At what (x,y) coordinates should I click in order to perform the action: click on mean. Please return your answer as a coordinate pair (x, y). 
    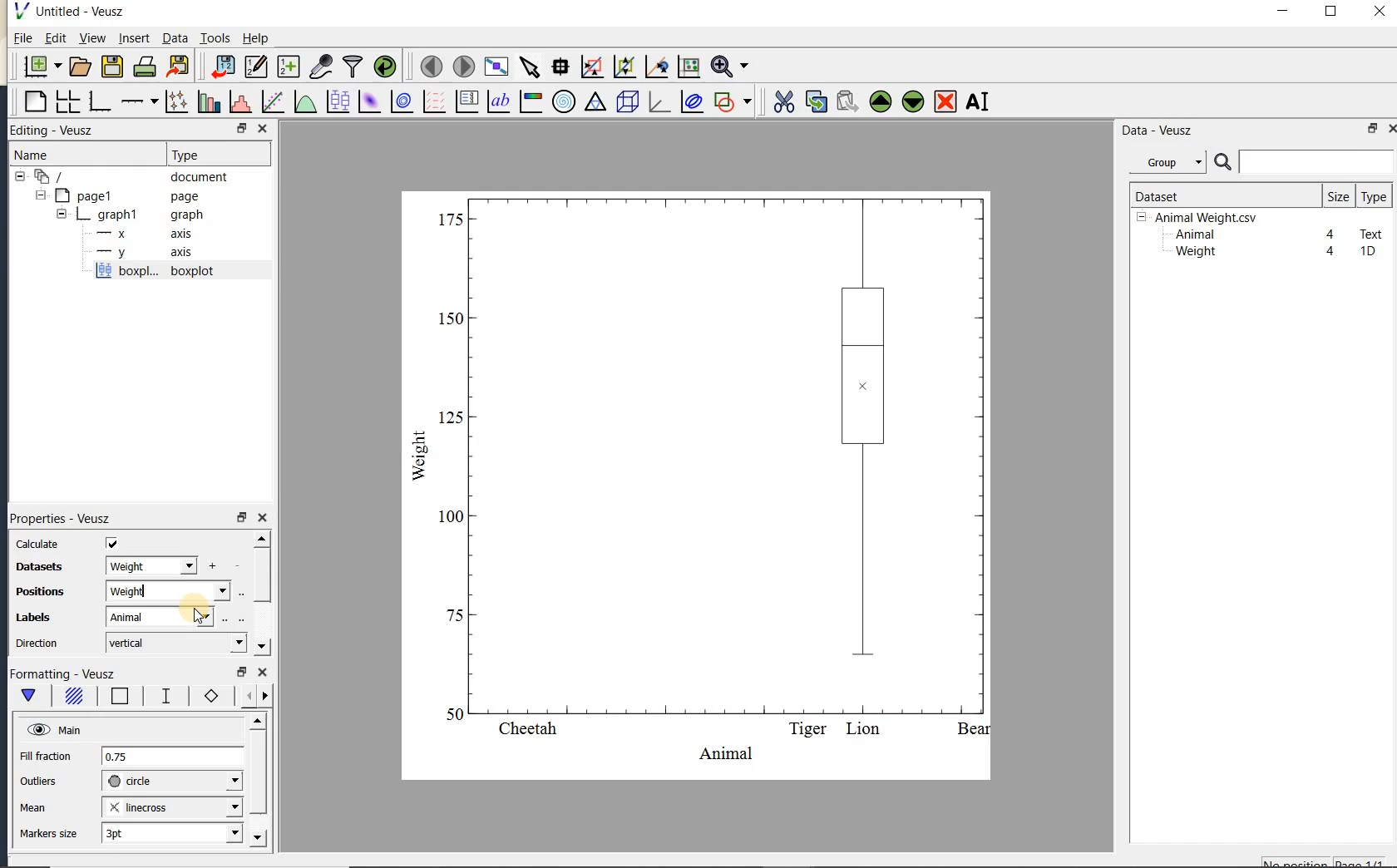
    Looking at the image, I should click on (34, 806).